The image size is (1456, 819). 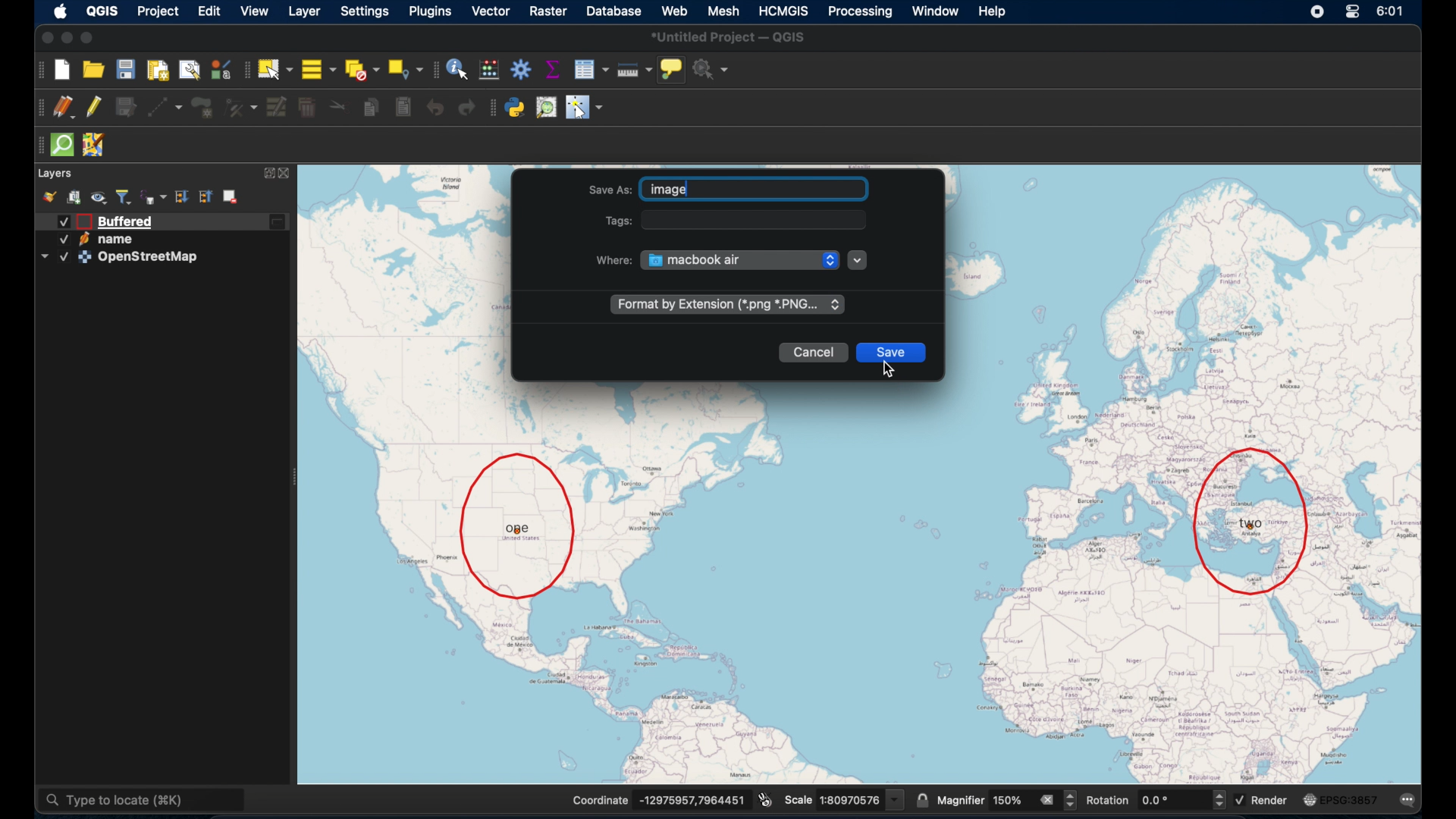 I want to click on edit, so click(x=211, y=11).